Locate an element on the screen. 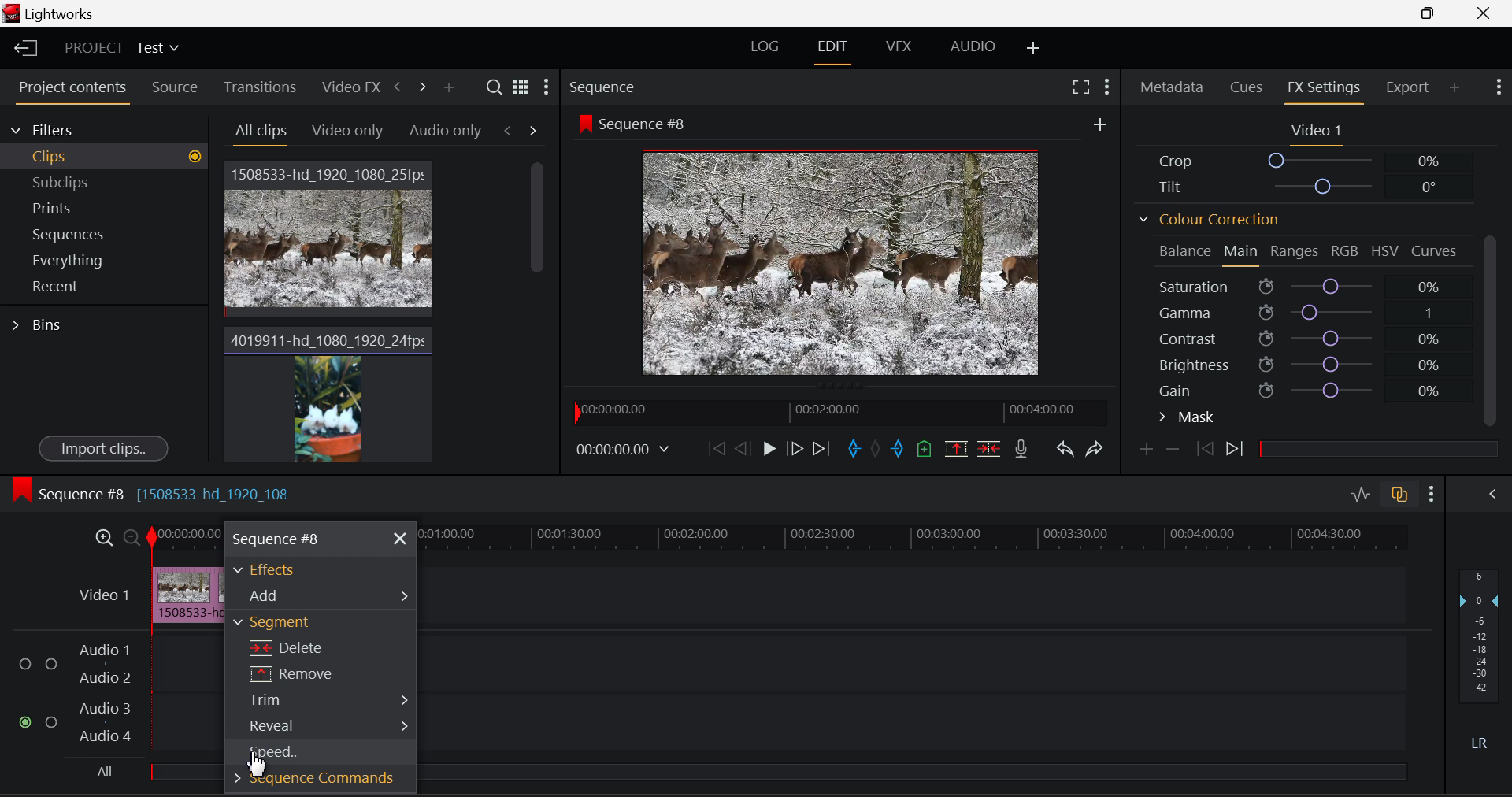 The width and height of the screenshot is (1512, 797). Crop is located at coordinates (1304, 161).